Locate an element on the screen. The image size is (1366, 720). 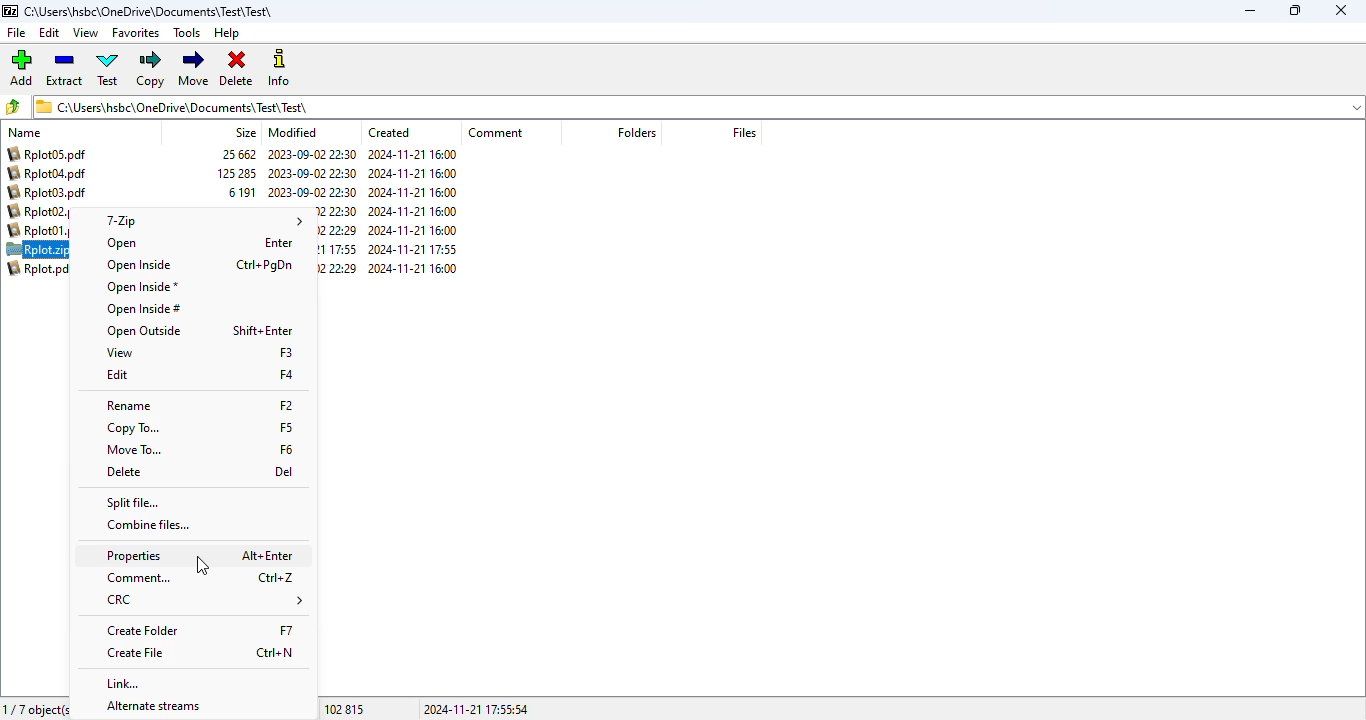
shortcut for open outside is located at coordinates (263, 330).